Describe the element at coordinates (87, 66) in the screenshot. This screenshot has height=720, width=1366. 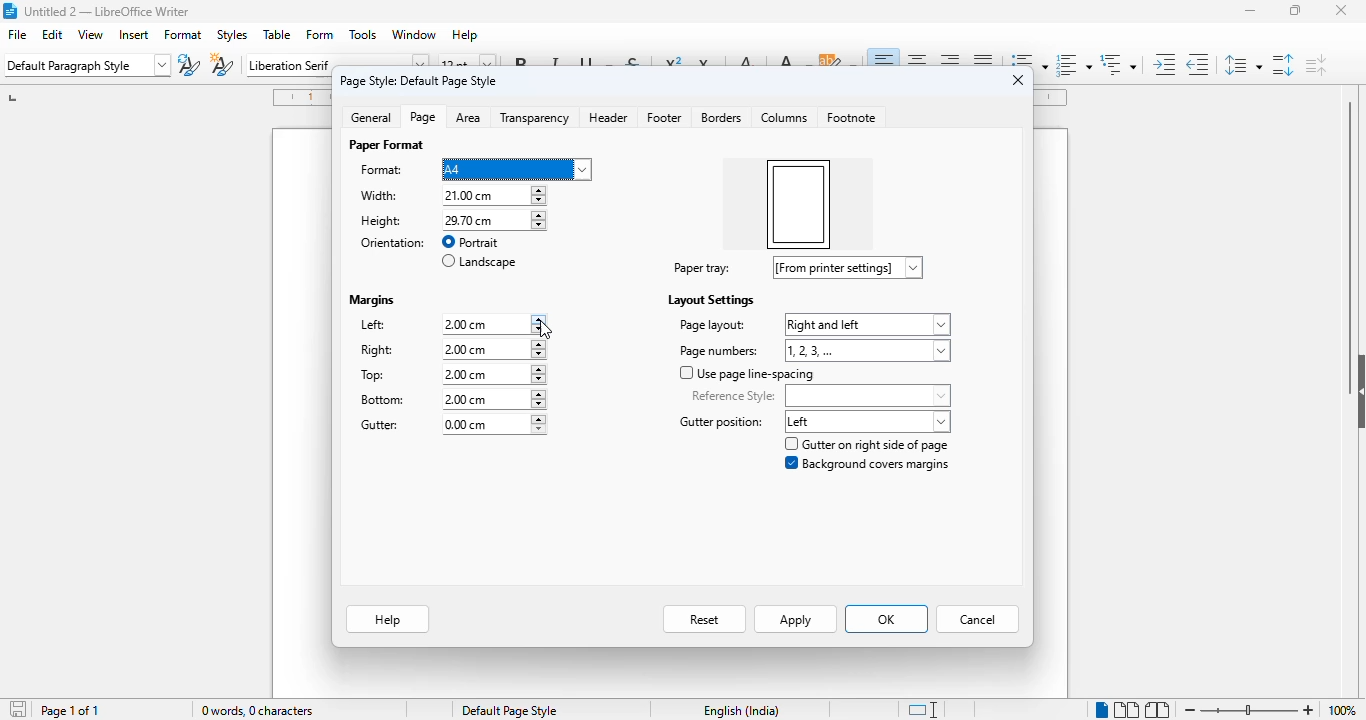
I see `set paragraph style` at that location.